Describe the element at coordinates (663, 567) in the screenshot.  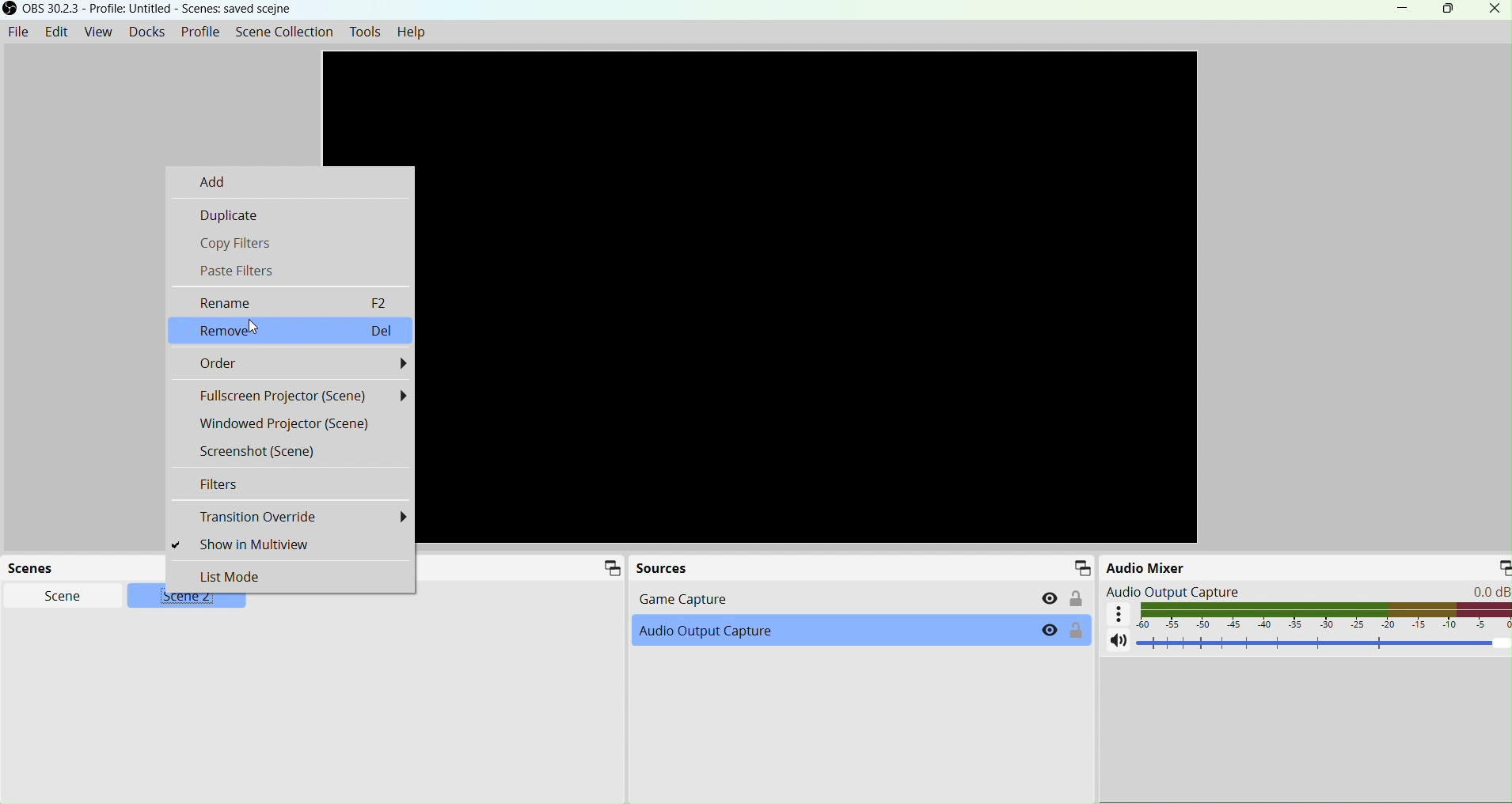
I see `Sources` at that location.